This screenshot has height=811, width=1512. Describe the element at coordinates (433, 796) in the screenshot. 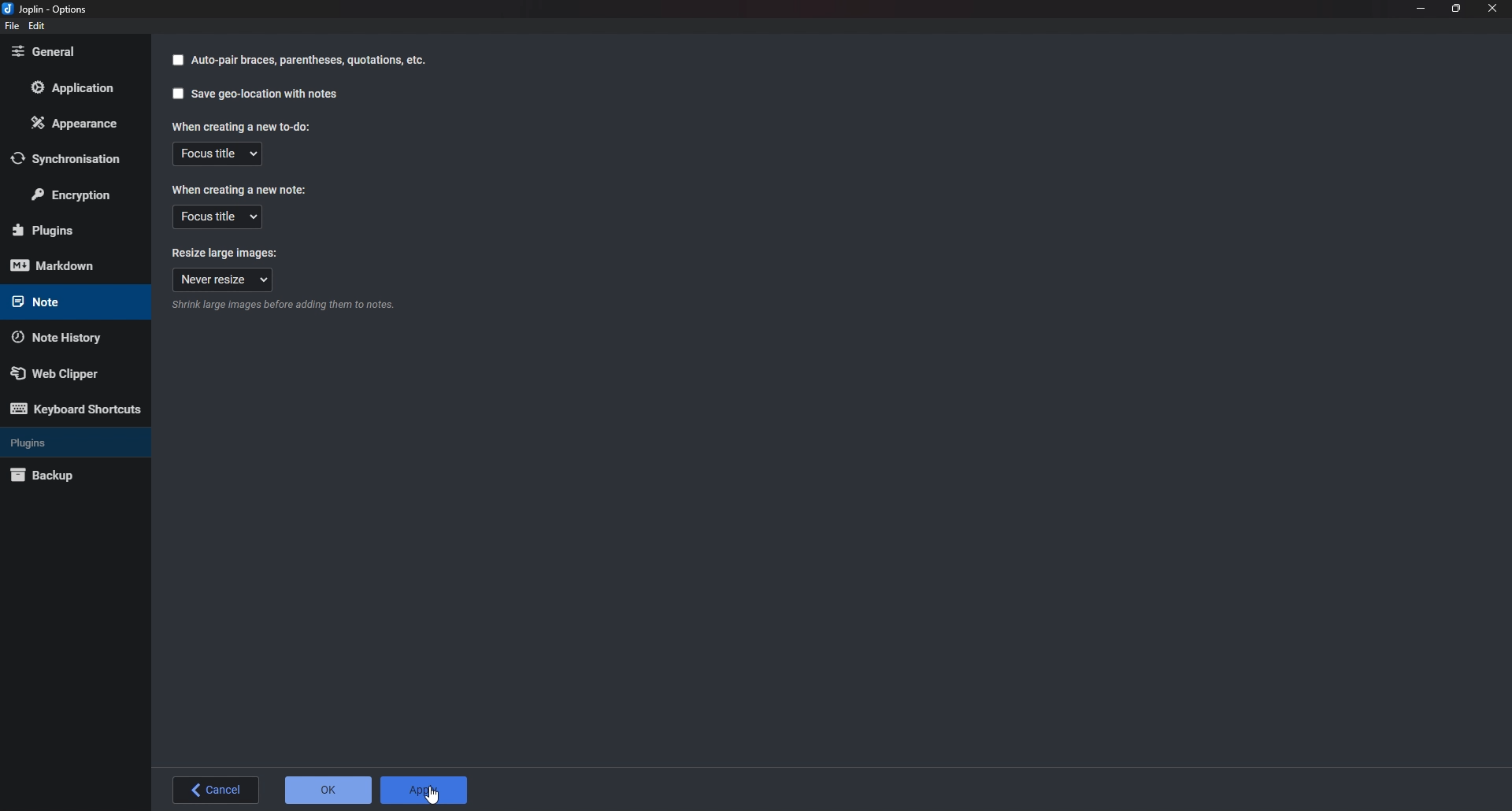

I see `cursor` at that location.